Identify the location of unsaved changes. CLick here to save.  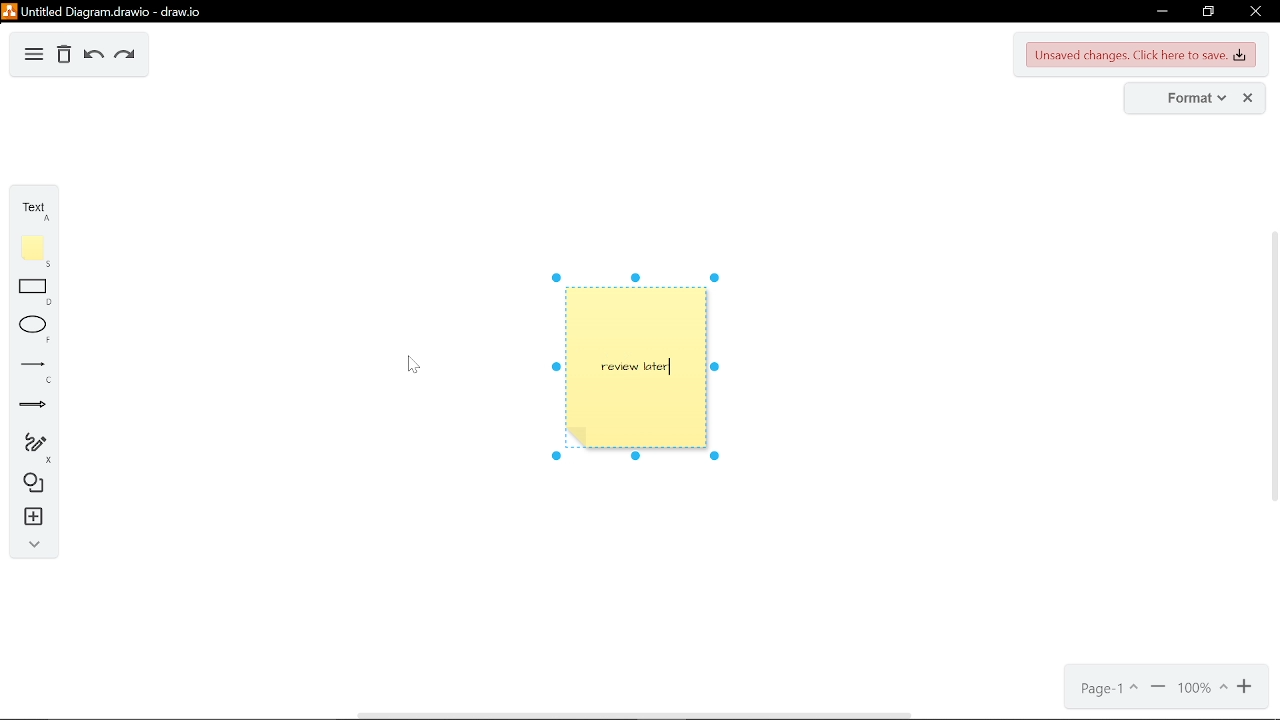
(1142, 55).